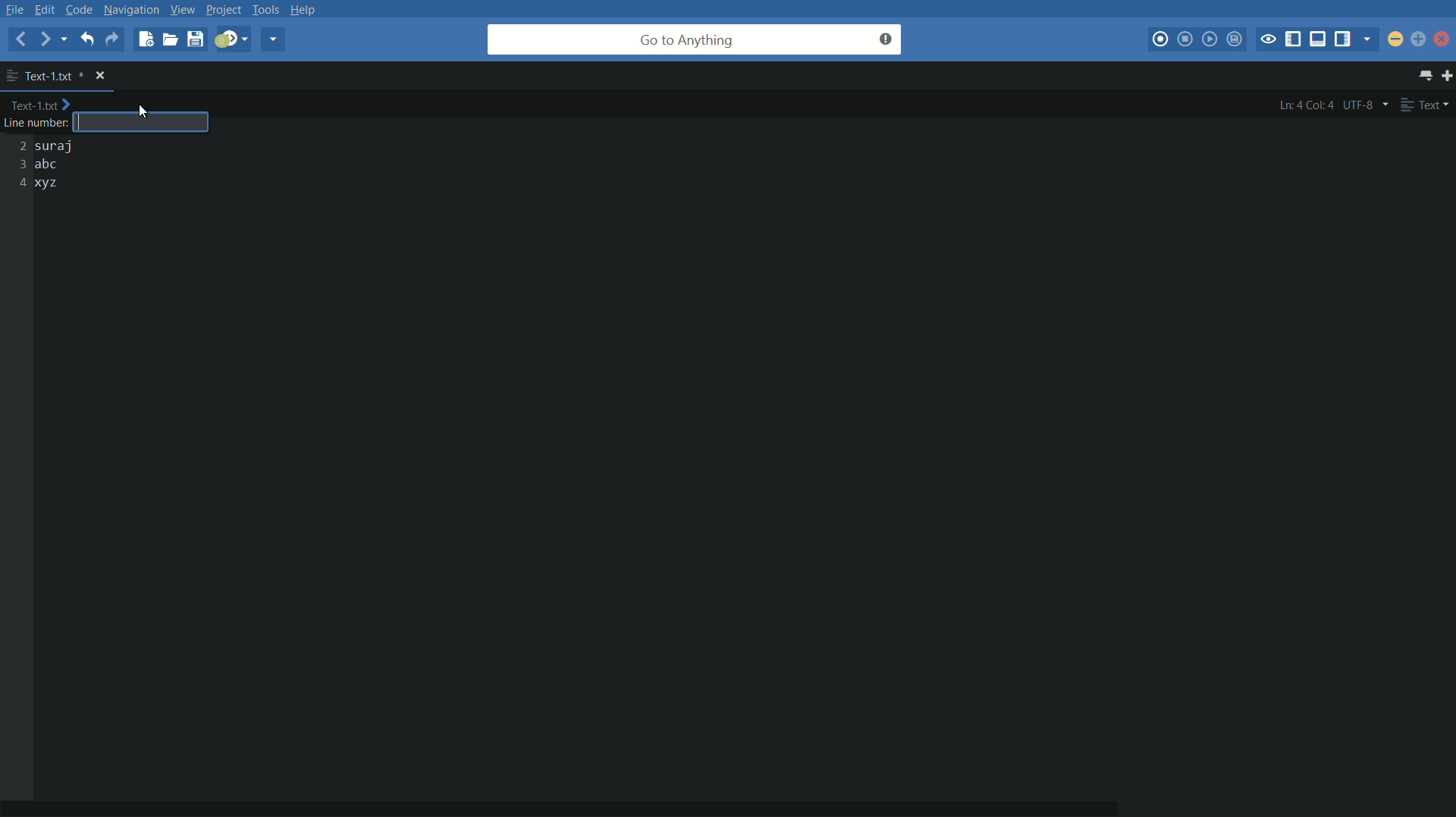 The width and height of the screenshot is (1456, 817). What do you see at coordinates (1443, 42) in the screenshot?
I see `close` at bounding box center [1443, 42].